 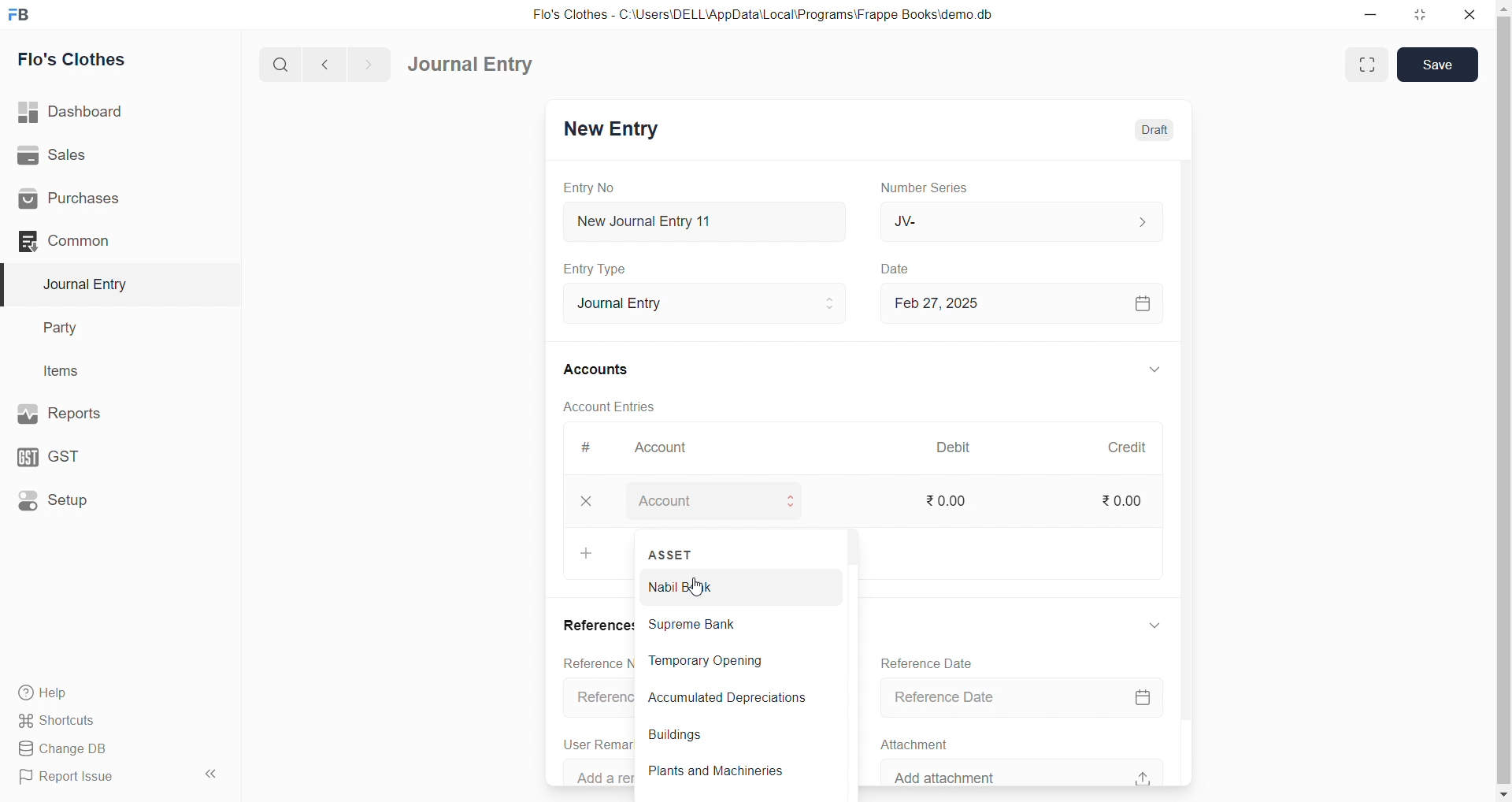 I want to click on New Entry, so click(x=616, y=130).